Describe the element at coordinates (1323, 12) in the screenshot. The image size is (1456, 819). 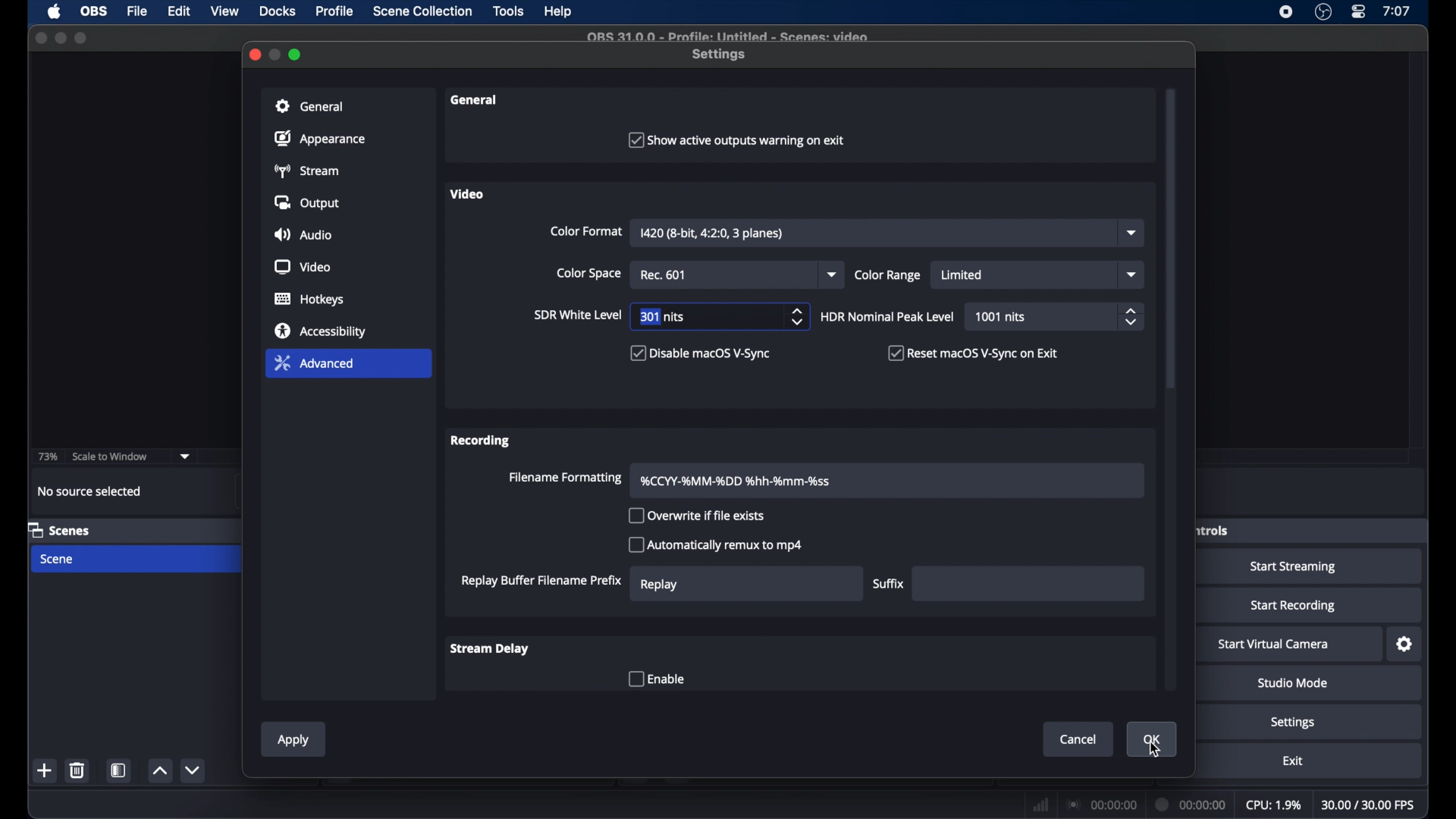
I see `obs studio` at that location.